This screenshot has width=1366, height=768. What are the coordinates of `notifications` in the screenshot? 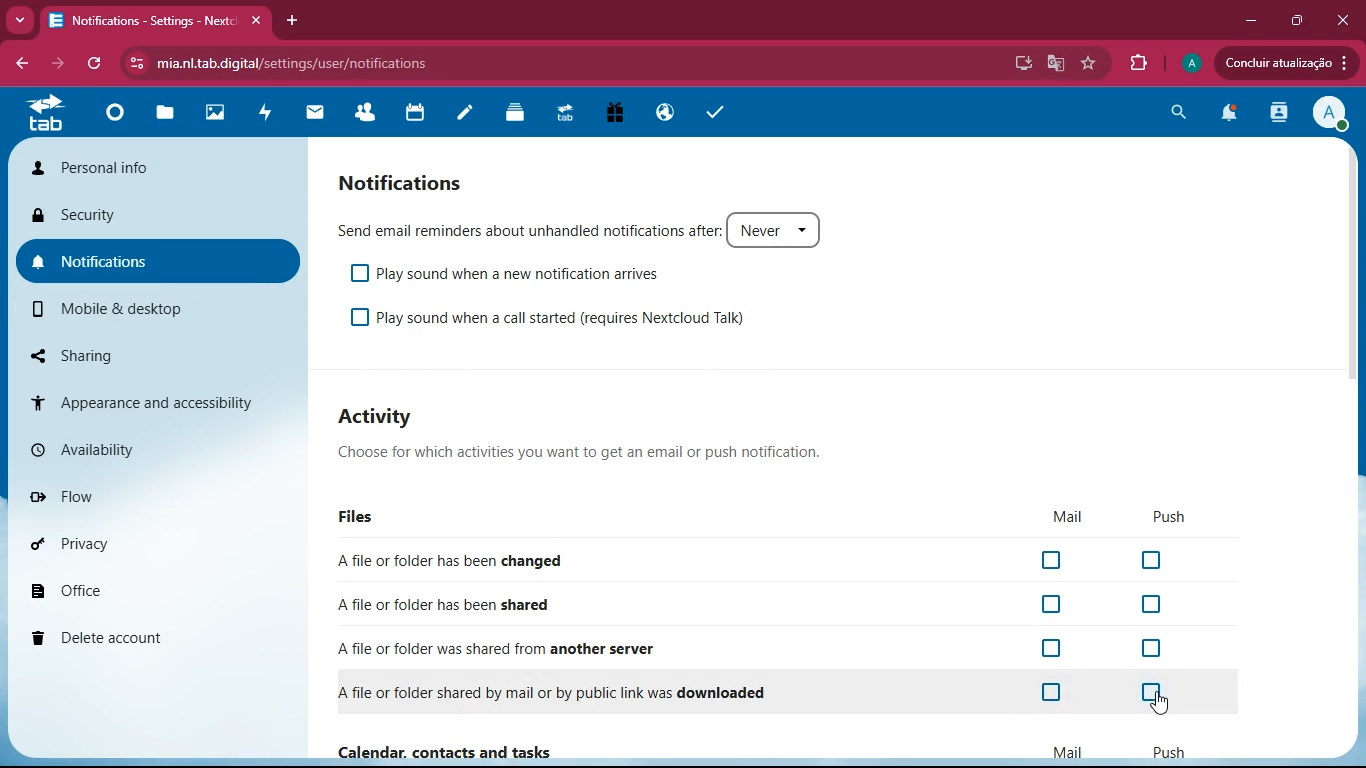 It's located at (1231, 115).